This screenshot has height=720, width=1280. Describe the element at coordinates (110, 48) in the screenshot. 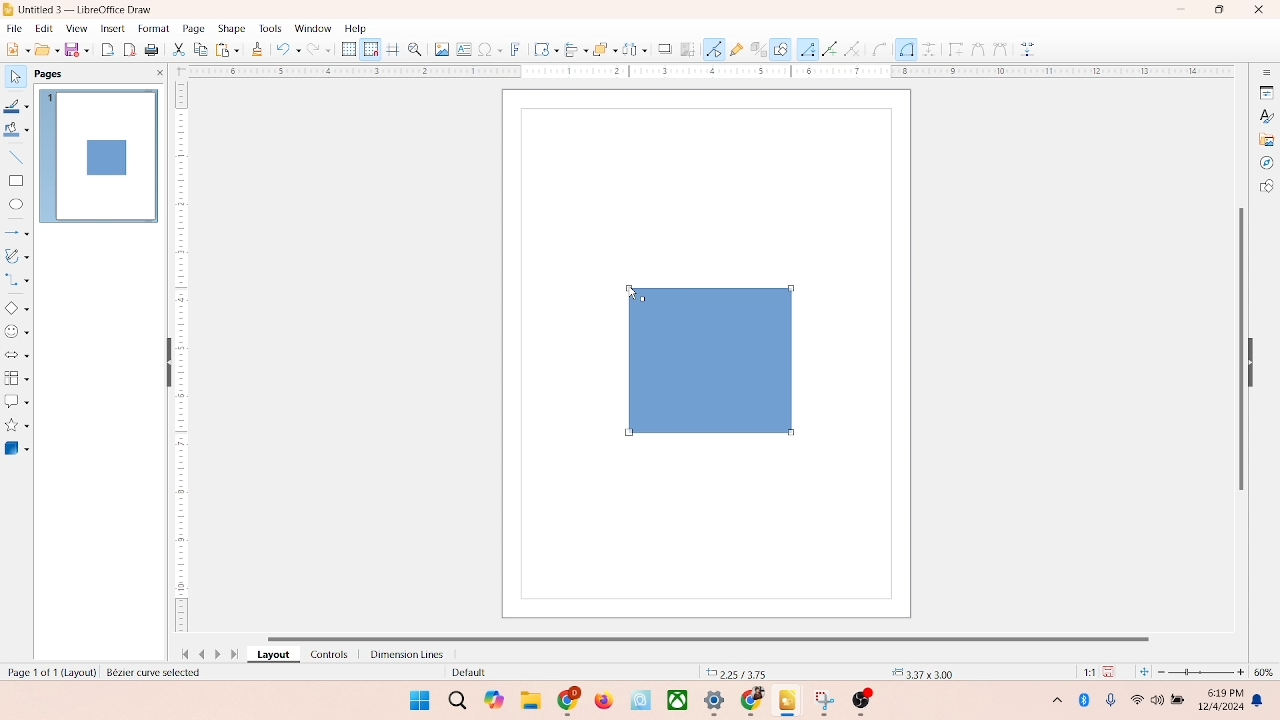

I see `export` at that location.